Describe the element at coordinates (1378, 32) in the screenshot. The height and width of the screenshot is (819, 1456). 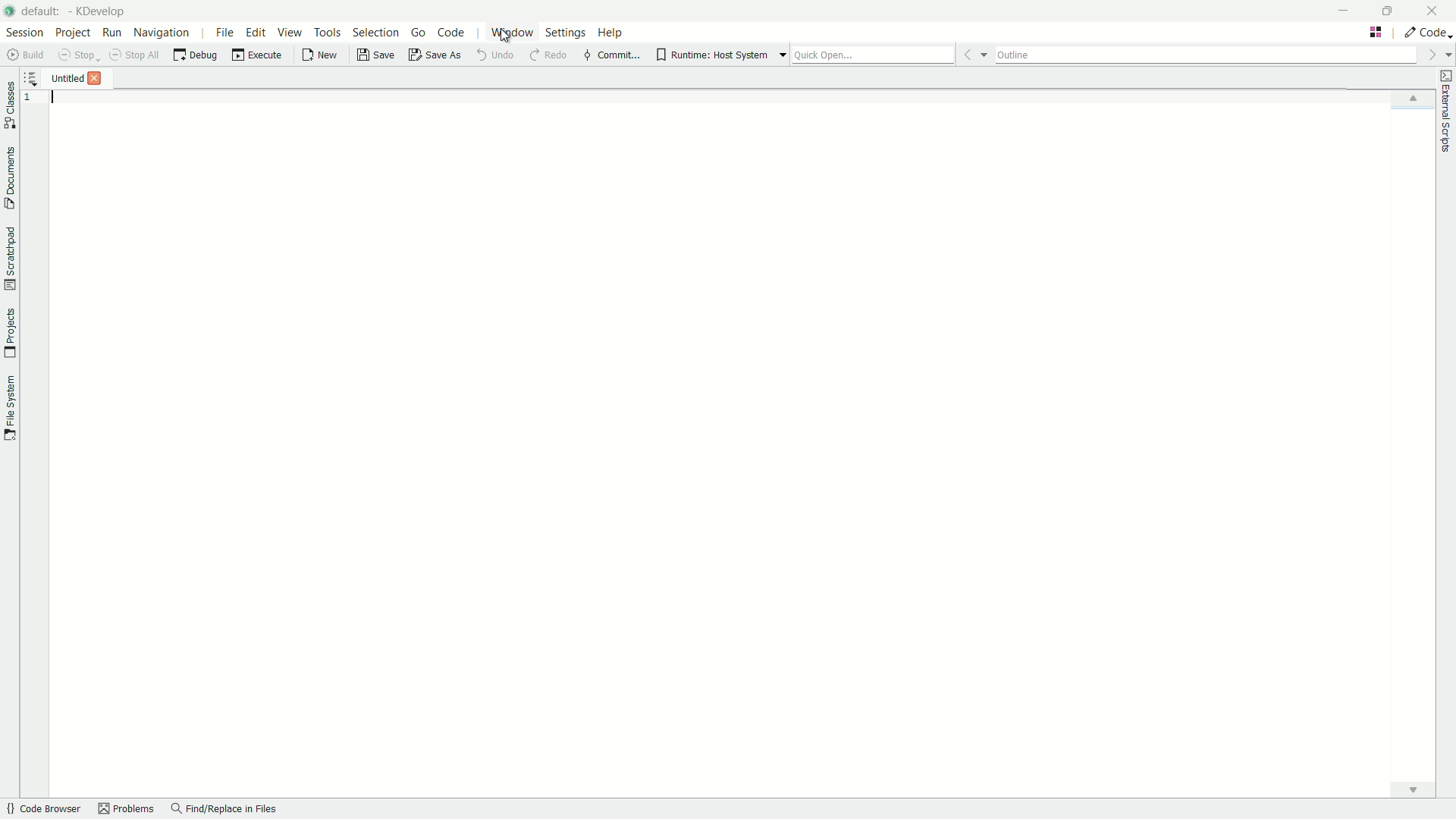
I see `change tab layout` at that location.